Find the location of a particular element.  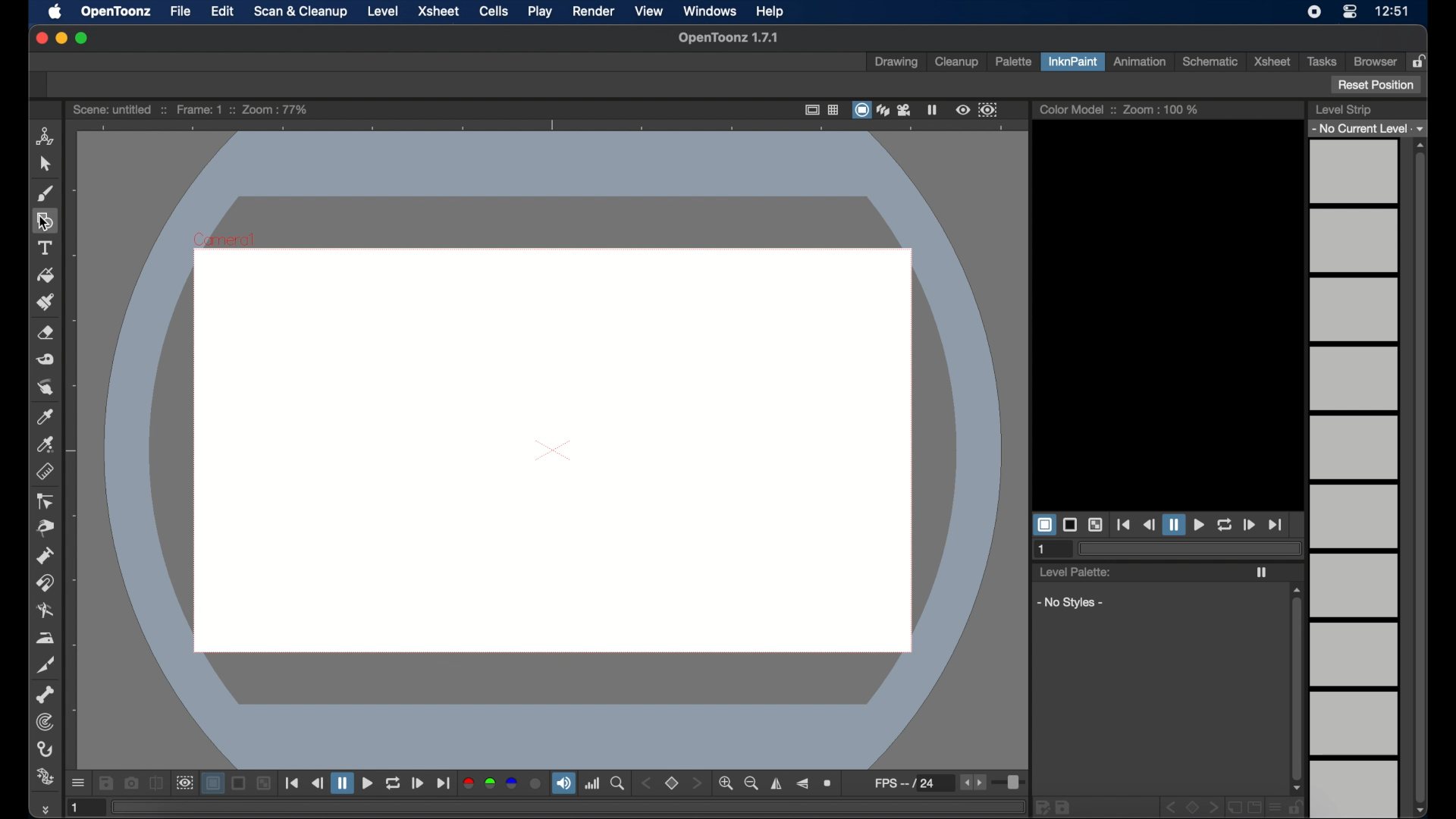

flip vertically is located at coordinates (802, 784).